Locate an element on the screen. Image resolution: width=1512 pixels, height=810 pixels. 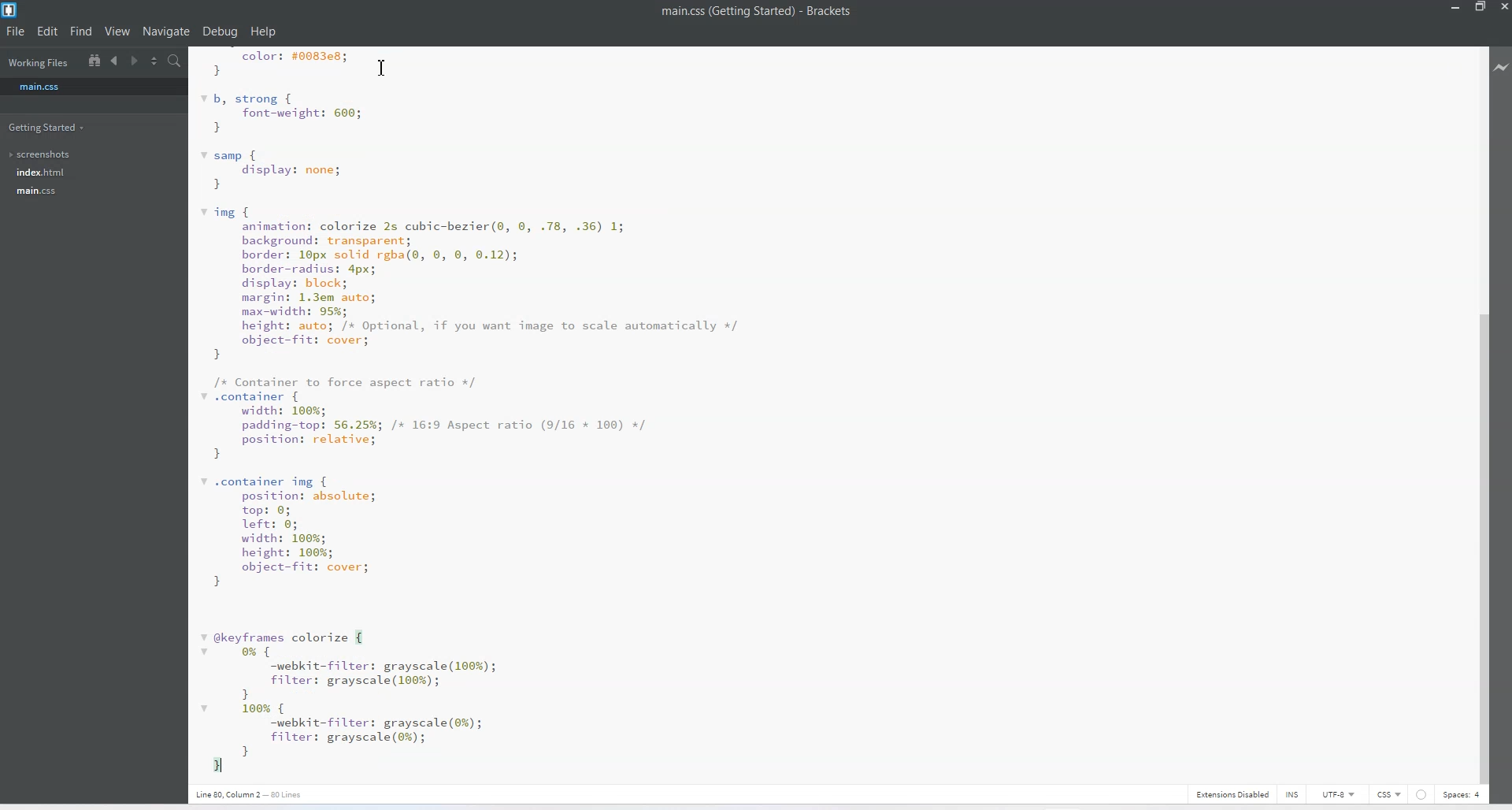
Minimize is located at coordinates (1455, 8).